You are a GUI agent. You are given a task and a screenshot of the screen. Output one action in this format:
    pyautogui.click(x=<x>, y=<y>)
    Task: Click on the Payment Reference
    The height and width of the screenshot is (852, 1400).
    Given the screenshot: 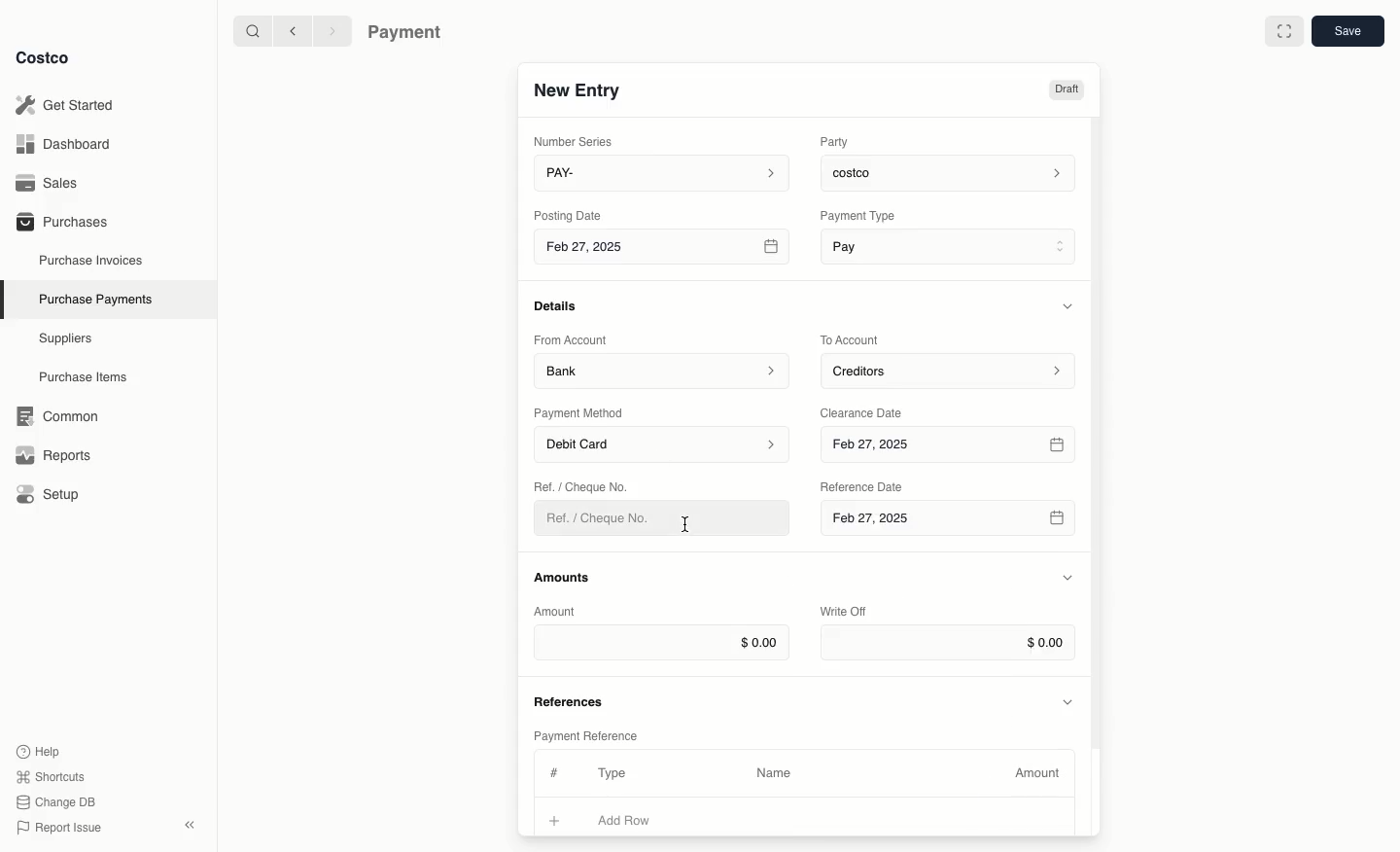 What is the action you would take?
    pyautogui.click(x=584, y=733)
    